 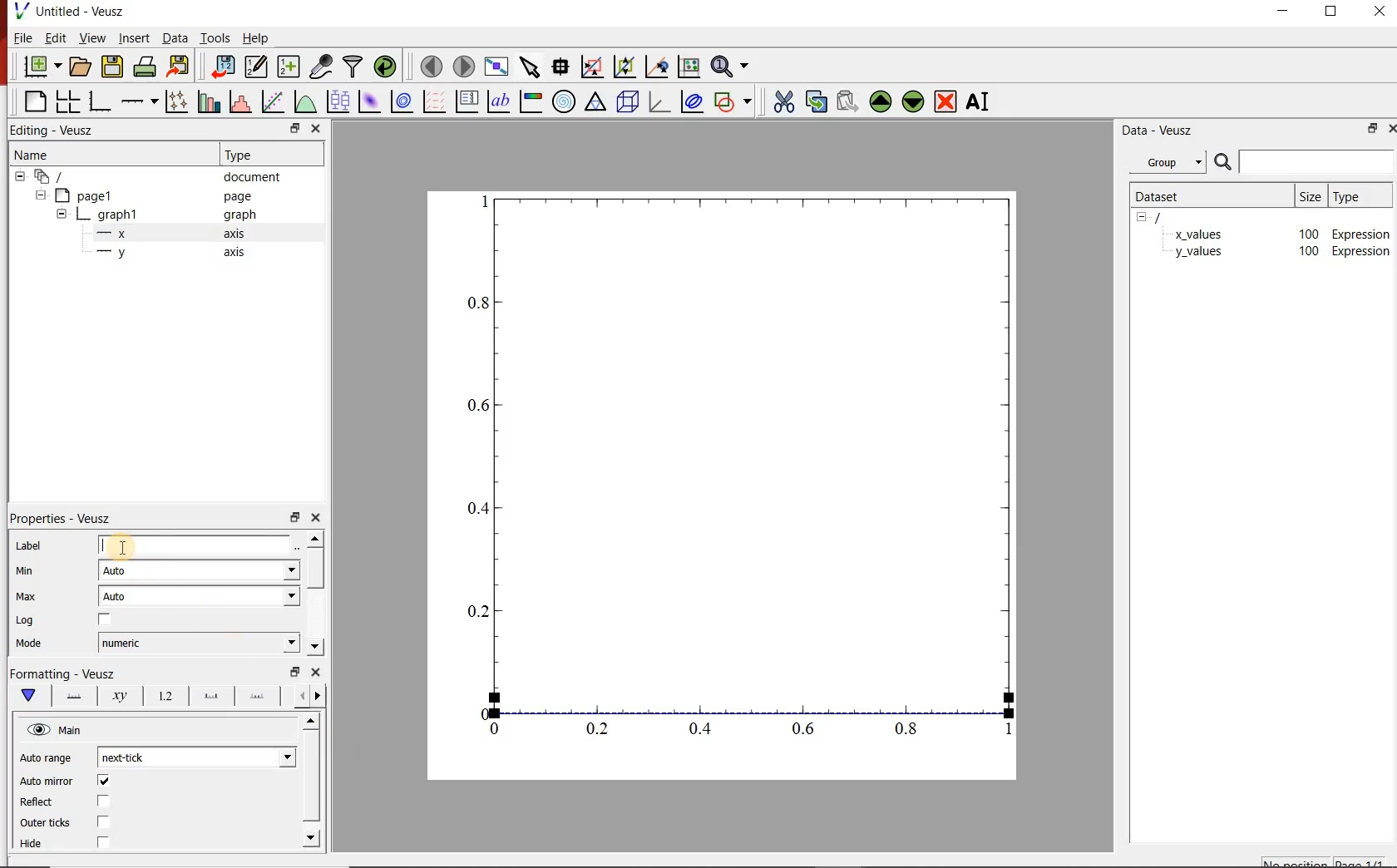 I want to click on y_values, so click(x=1198, y=253).